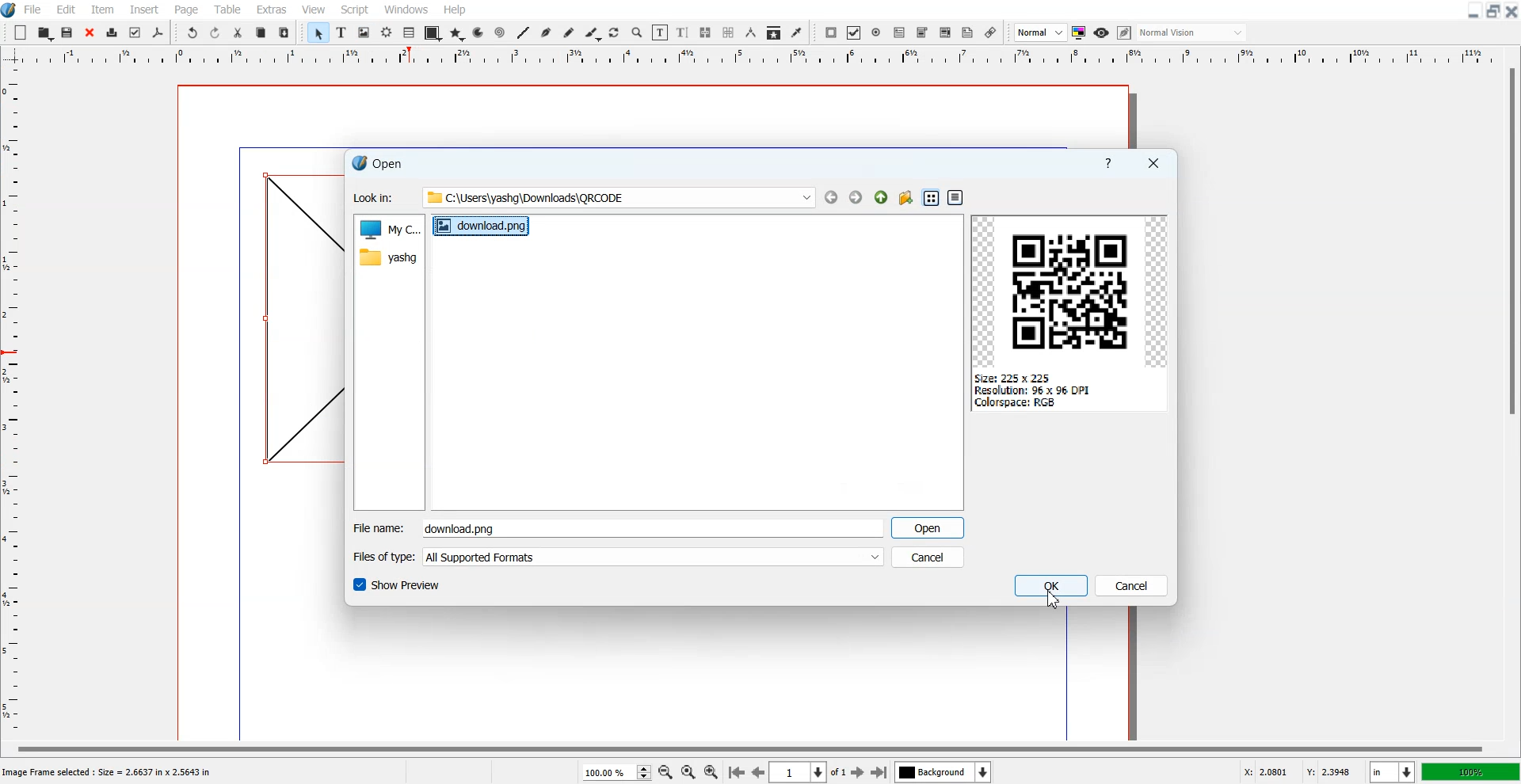 This screenshot has height=784, width=1521. Describe the element at coordinates (1050, 584) in the screenshot. I see `OK` at that location.